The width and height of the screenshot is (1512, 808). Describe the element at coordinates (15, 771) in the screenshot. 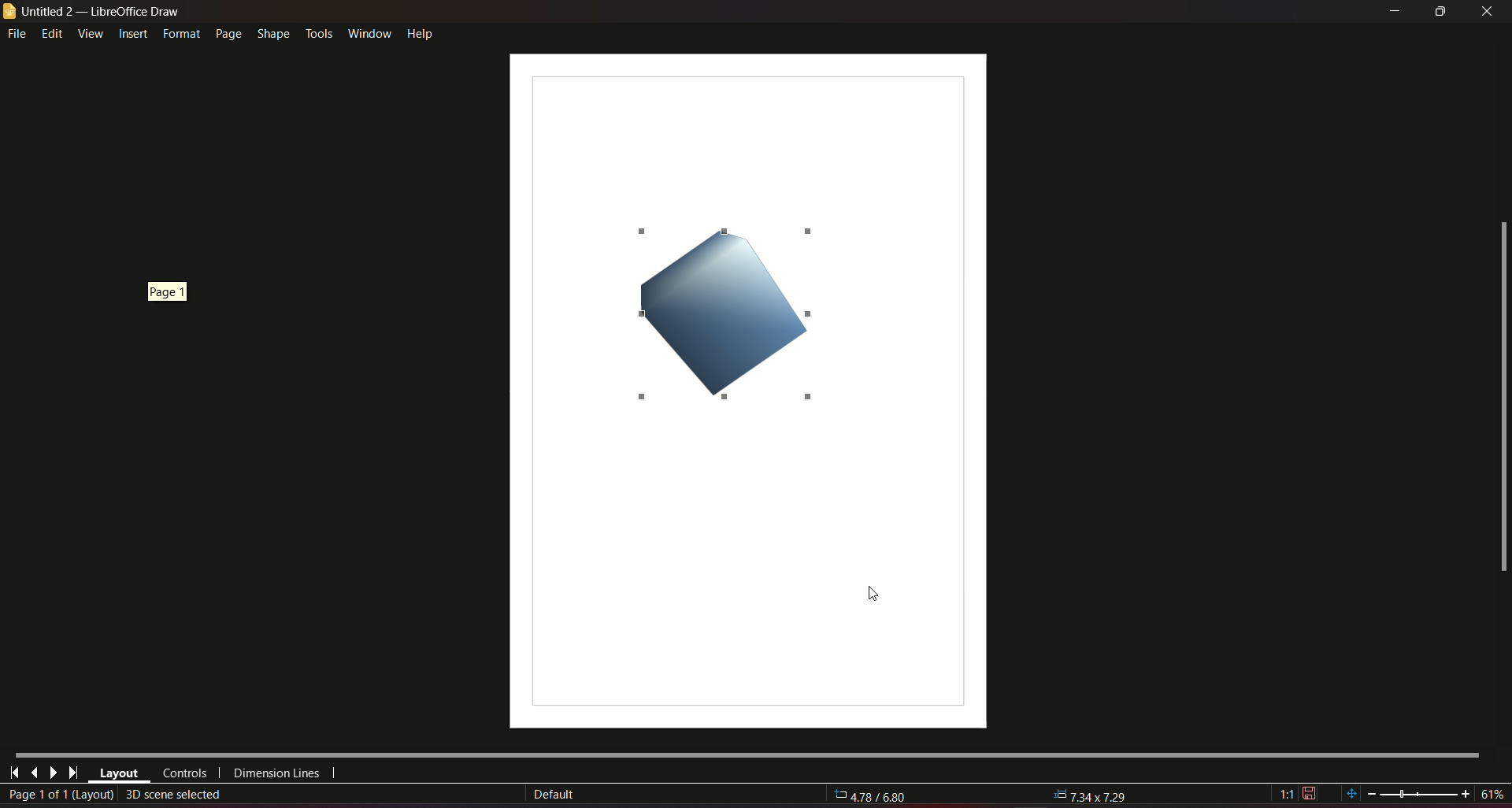

I see `first page` at that location.